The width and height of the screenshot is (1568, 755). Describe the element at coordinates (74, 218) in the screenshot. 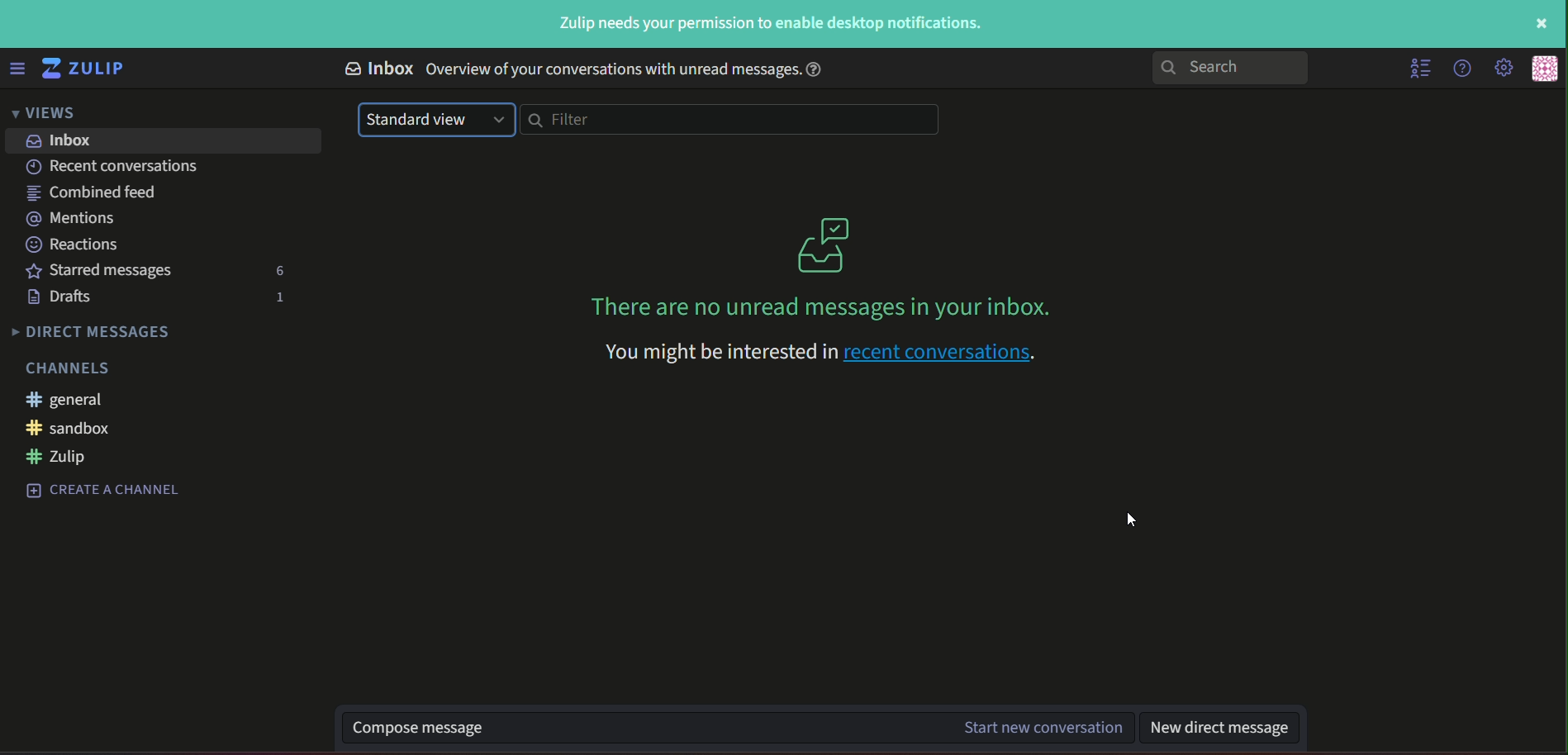

I see `text` at that location.